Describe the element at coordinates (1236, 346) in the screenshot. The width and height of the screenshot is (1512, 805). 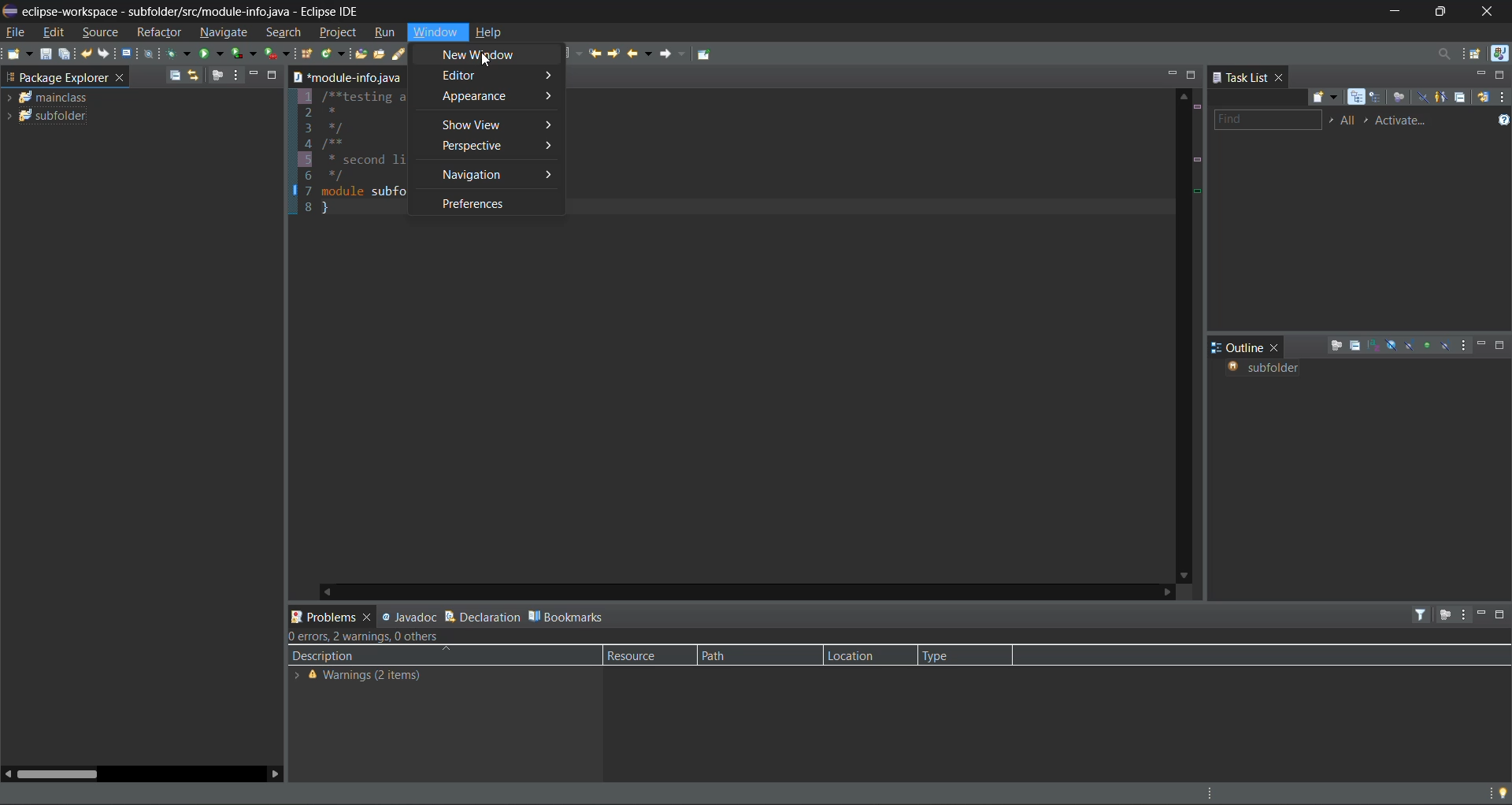
I see `outline` at that location.